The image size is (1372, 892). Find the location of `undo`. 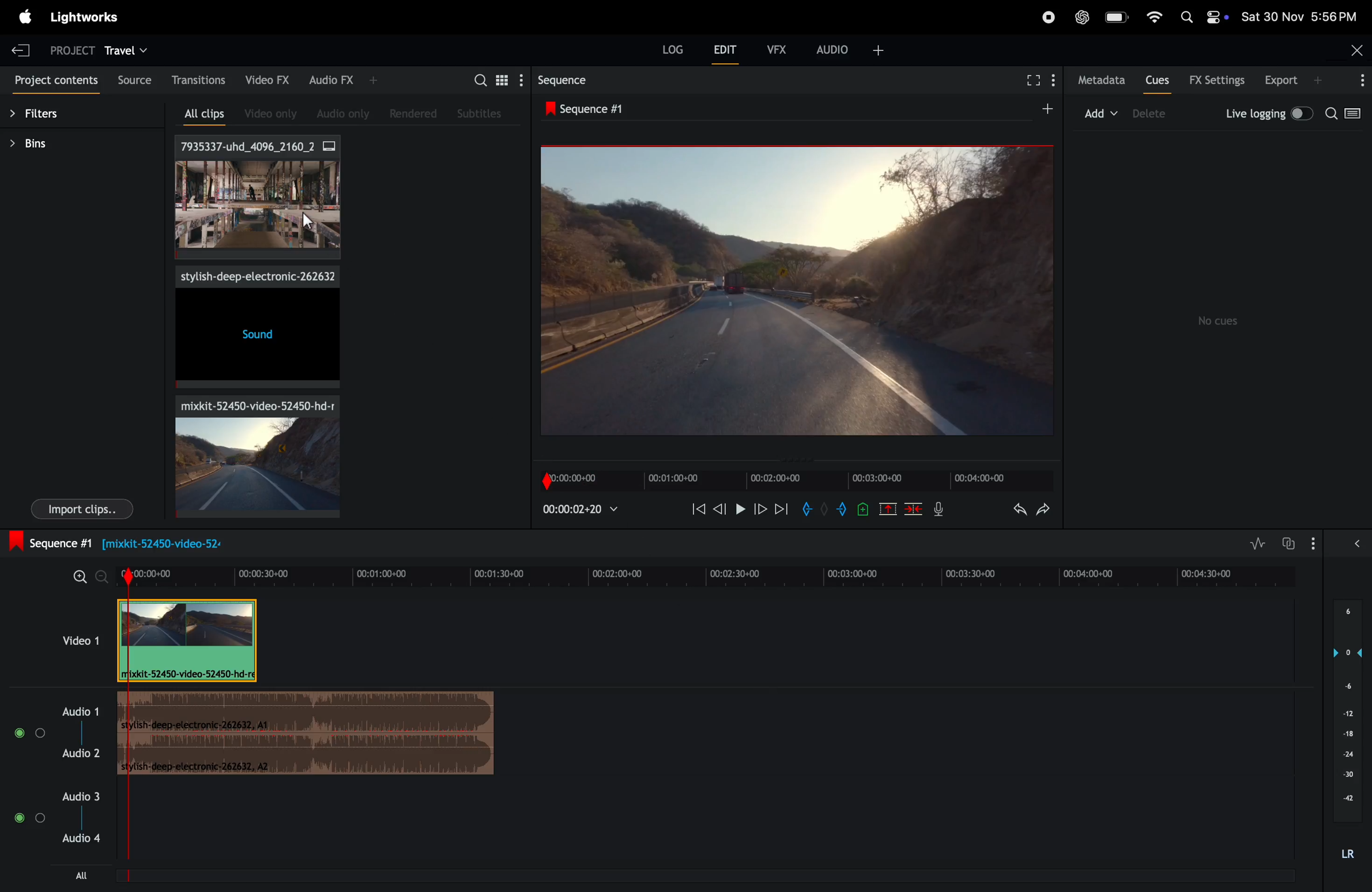

undo is located at coordinates (1012, 511).